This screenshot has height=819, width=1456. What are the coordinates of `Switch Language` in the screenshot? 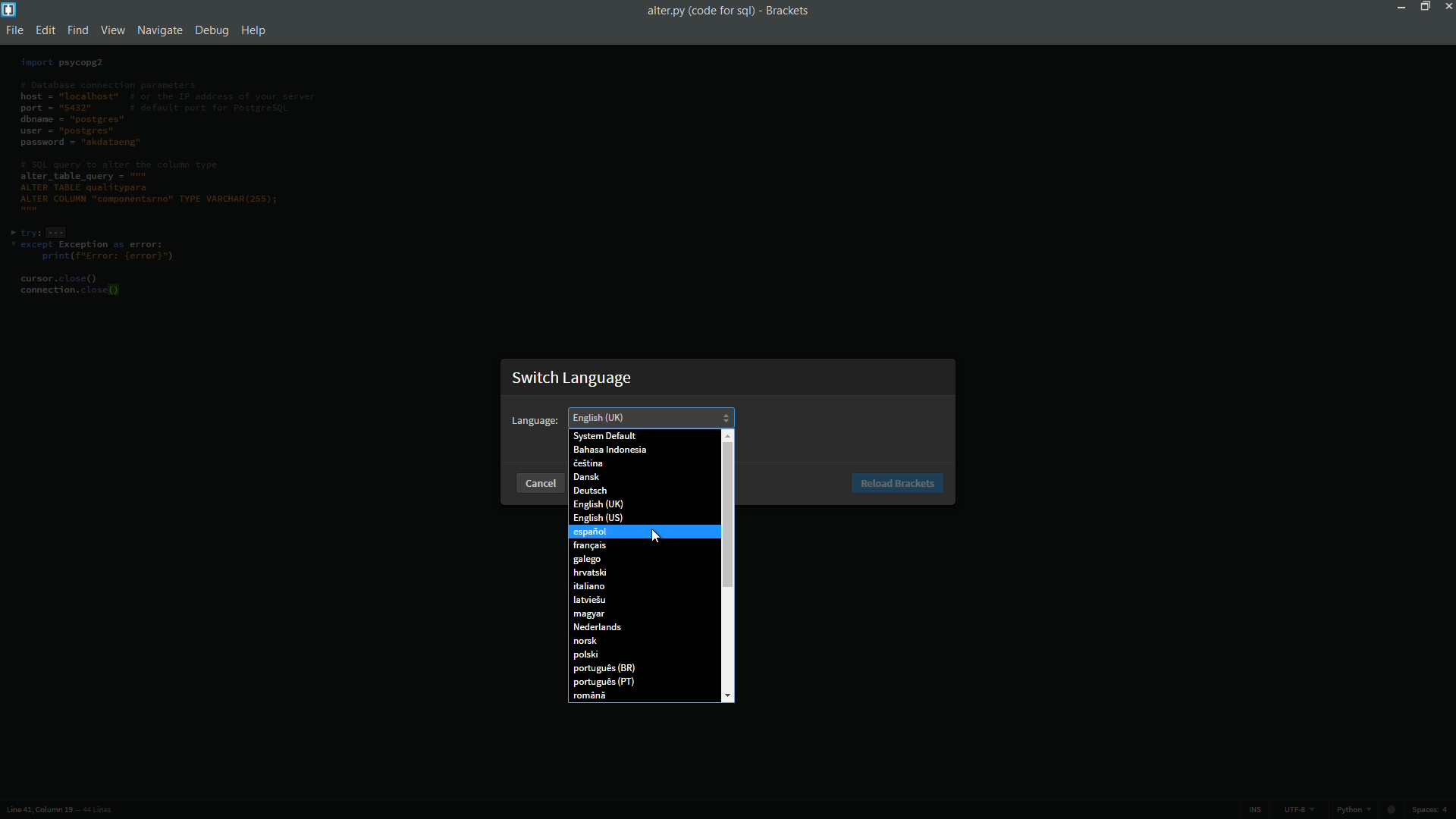 It's located at (576, 379).